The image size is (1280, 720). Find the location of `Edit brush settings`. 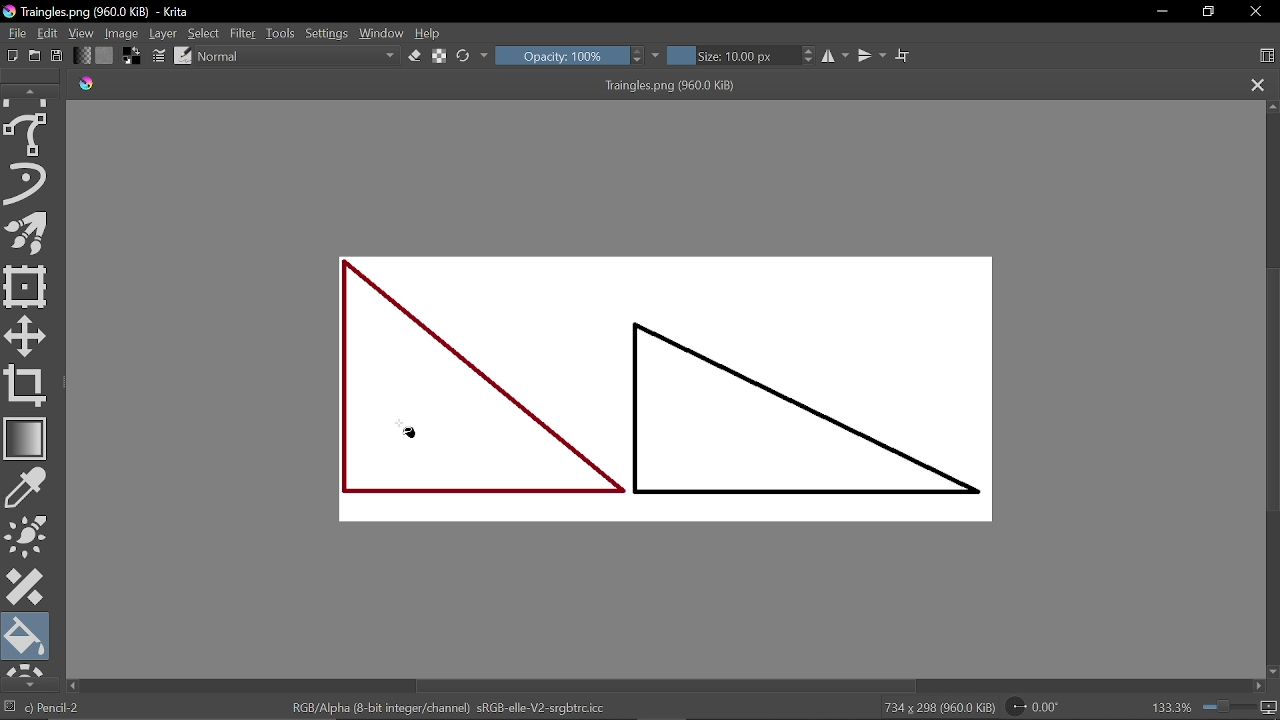

Edit brush settings is located at coordinates (159, 56).